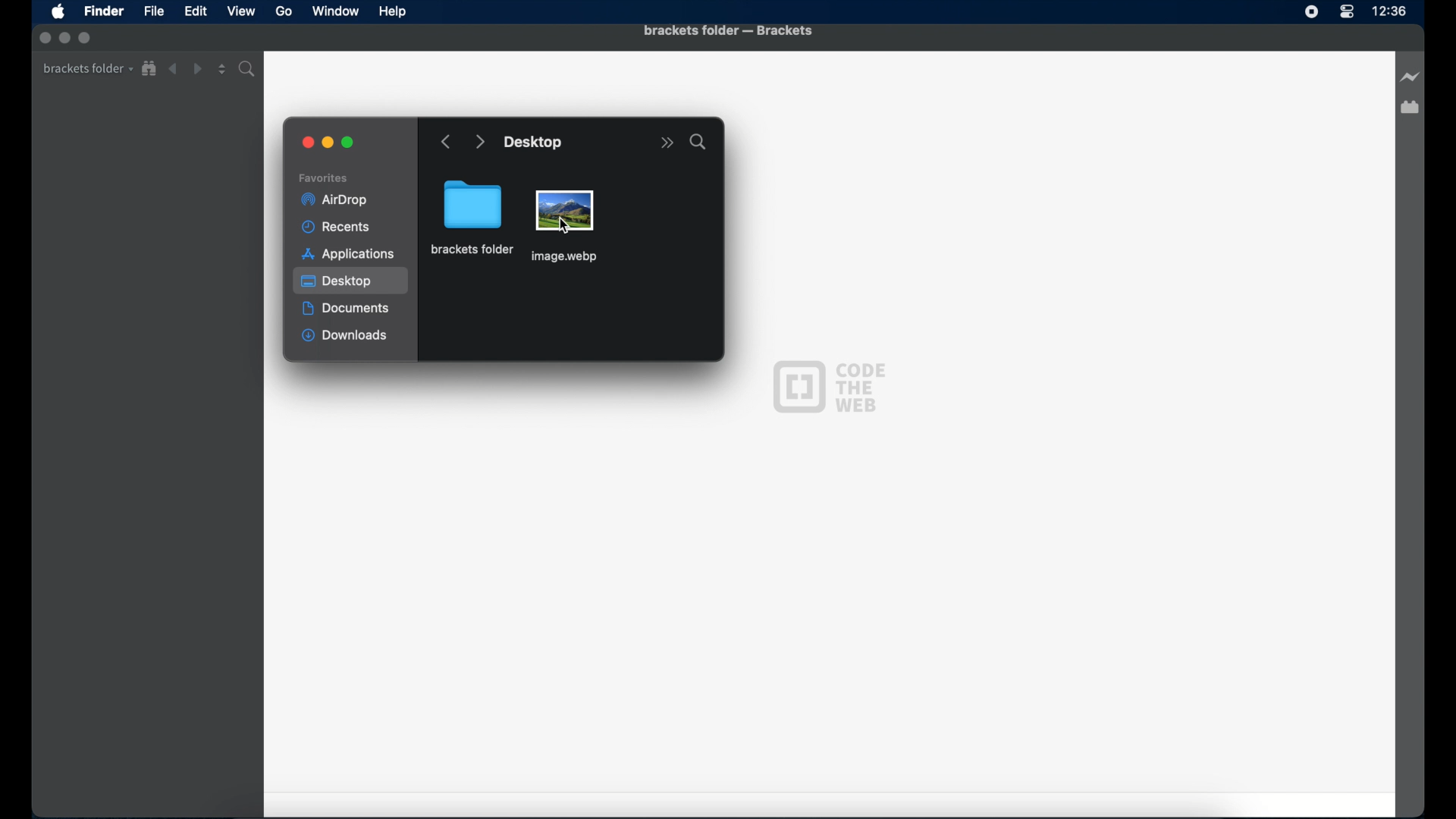  I want to click on time, so click(1389, 11).